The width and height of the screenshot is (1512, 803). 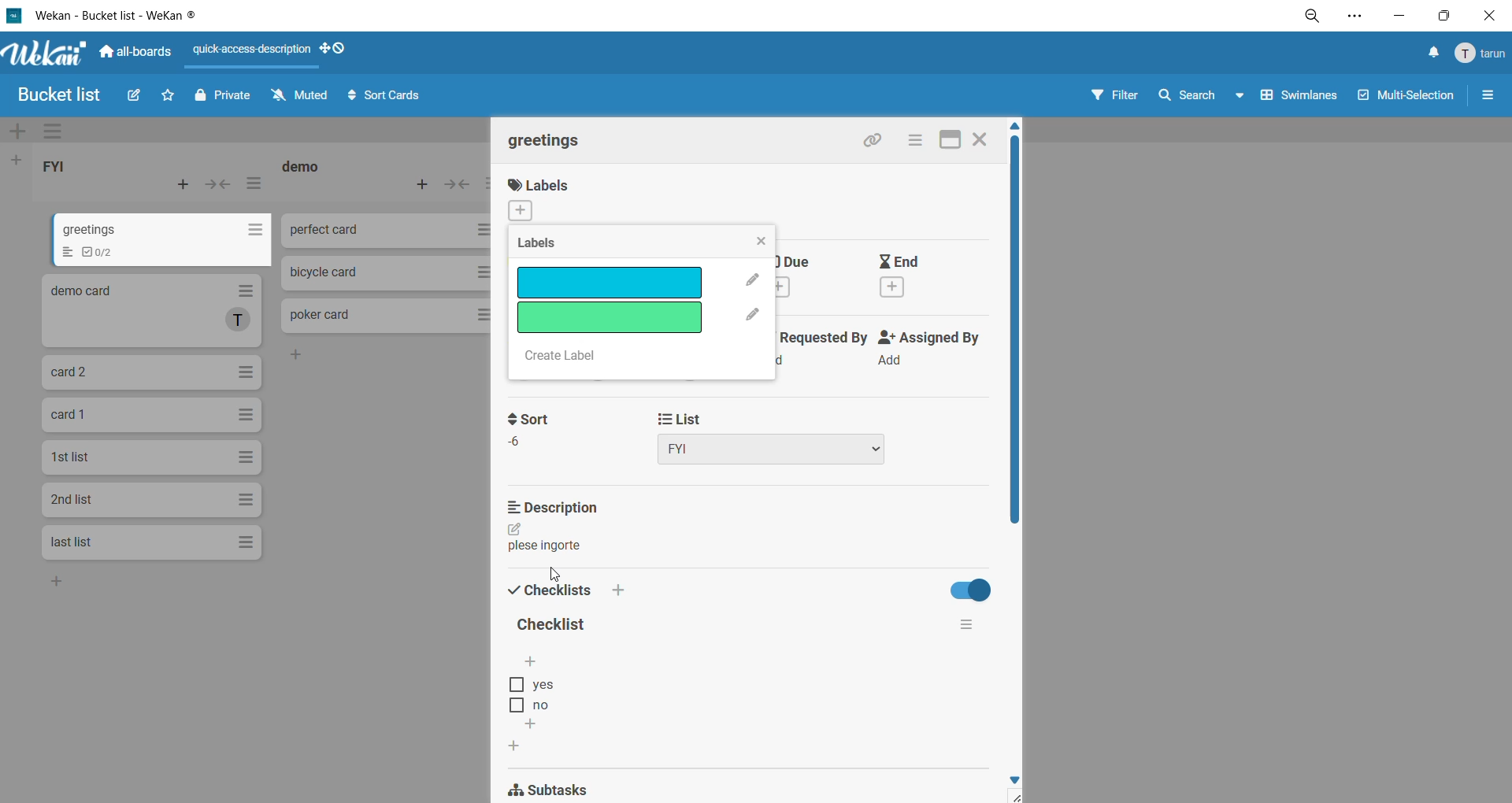 I want to click on all boards, so click(x=135, y=54).